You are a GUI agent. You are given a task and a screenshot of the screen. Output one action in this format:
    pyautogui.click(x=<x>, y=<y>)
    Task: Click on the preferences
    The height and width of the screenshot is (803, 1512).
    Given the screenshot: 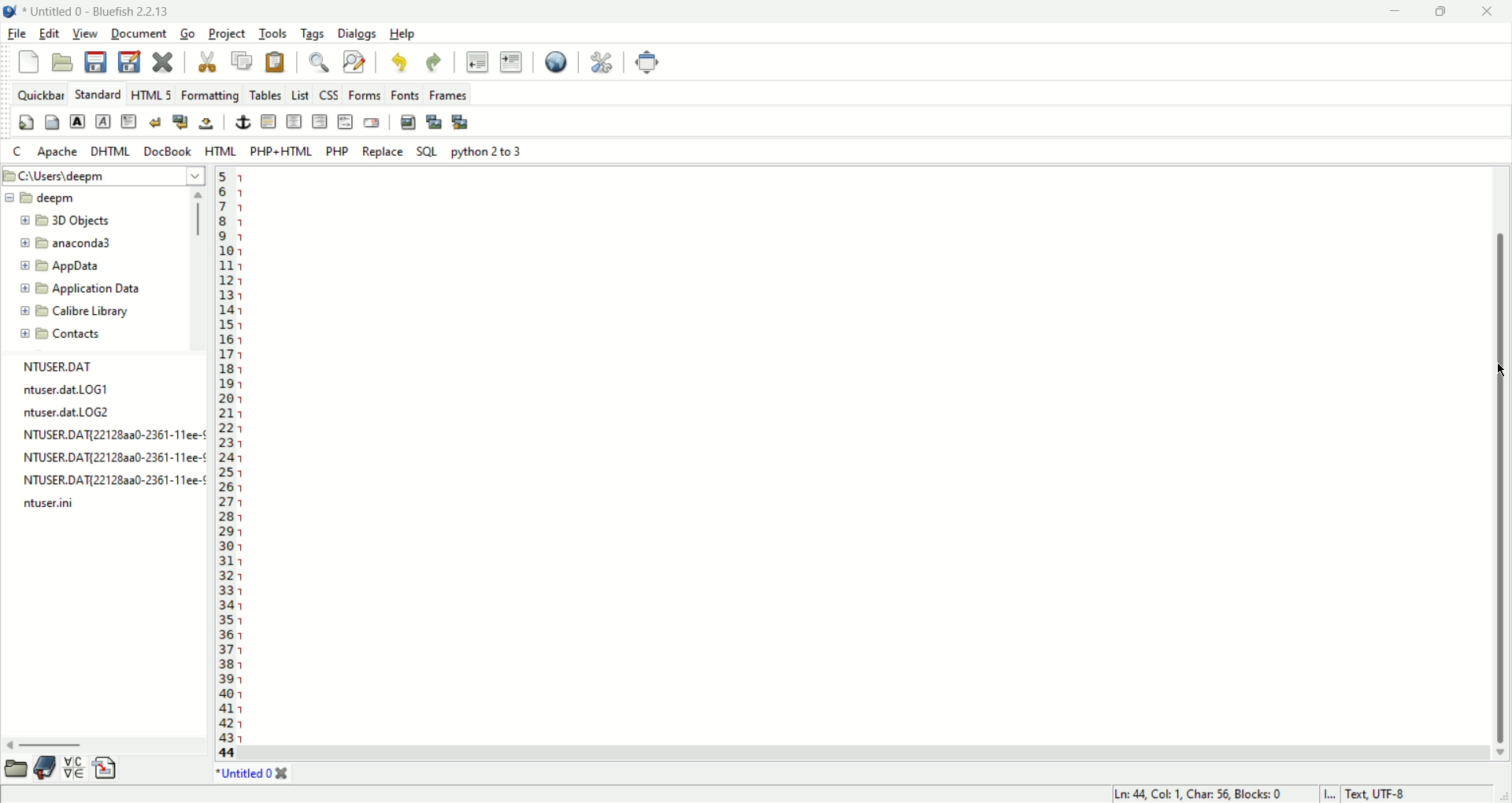 What is the action you would take?
    pyautogui.click(x=600, y=63)
    